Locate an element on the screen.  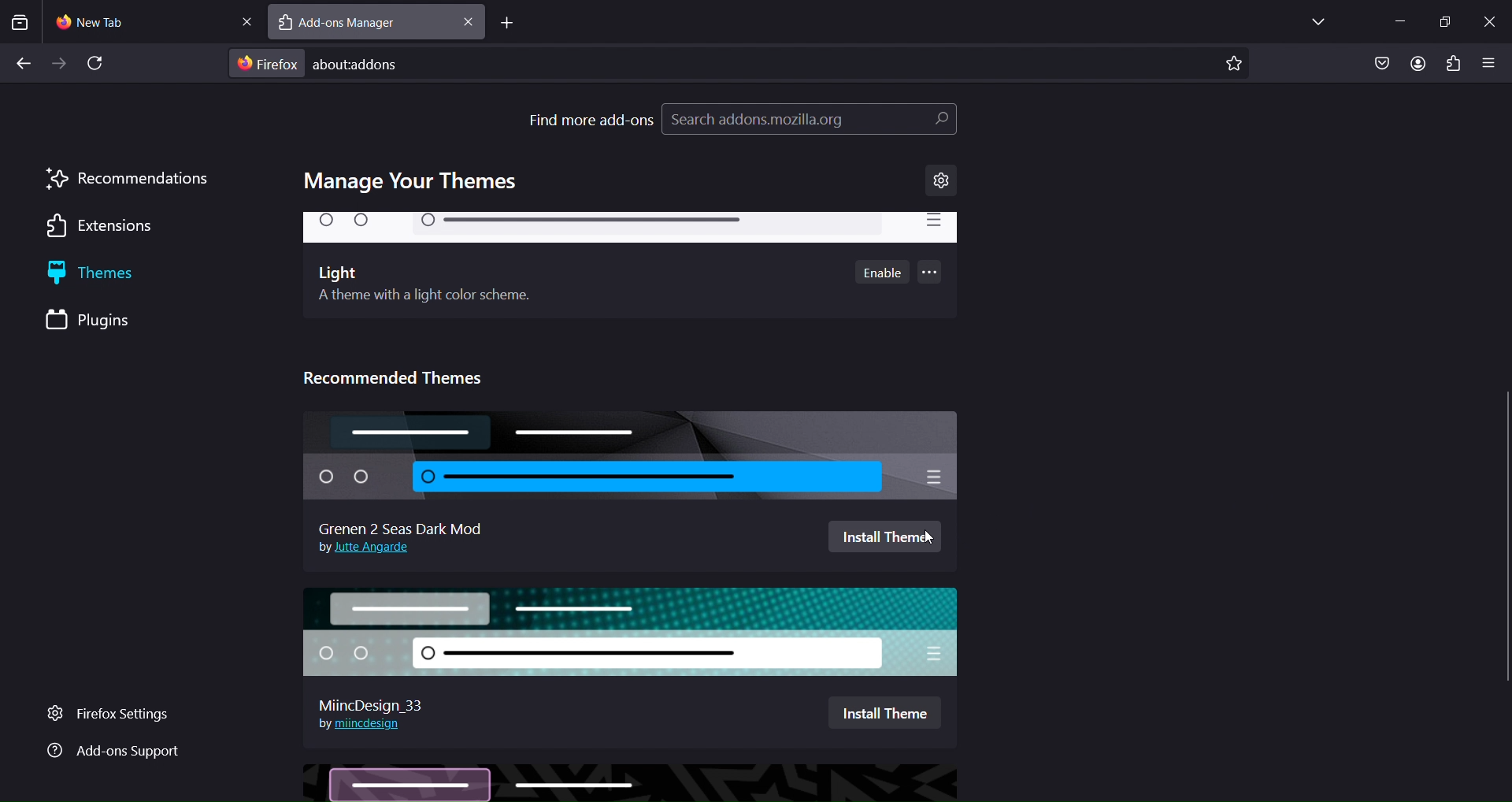
manage your themes is located at coordinates (415, 182).